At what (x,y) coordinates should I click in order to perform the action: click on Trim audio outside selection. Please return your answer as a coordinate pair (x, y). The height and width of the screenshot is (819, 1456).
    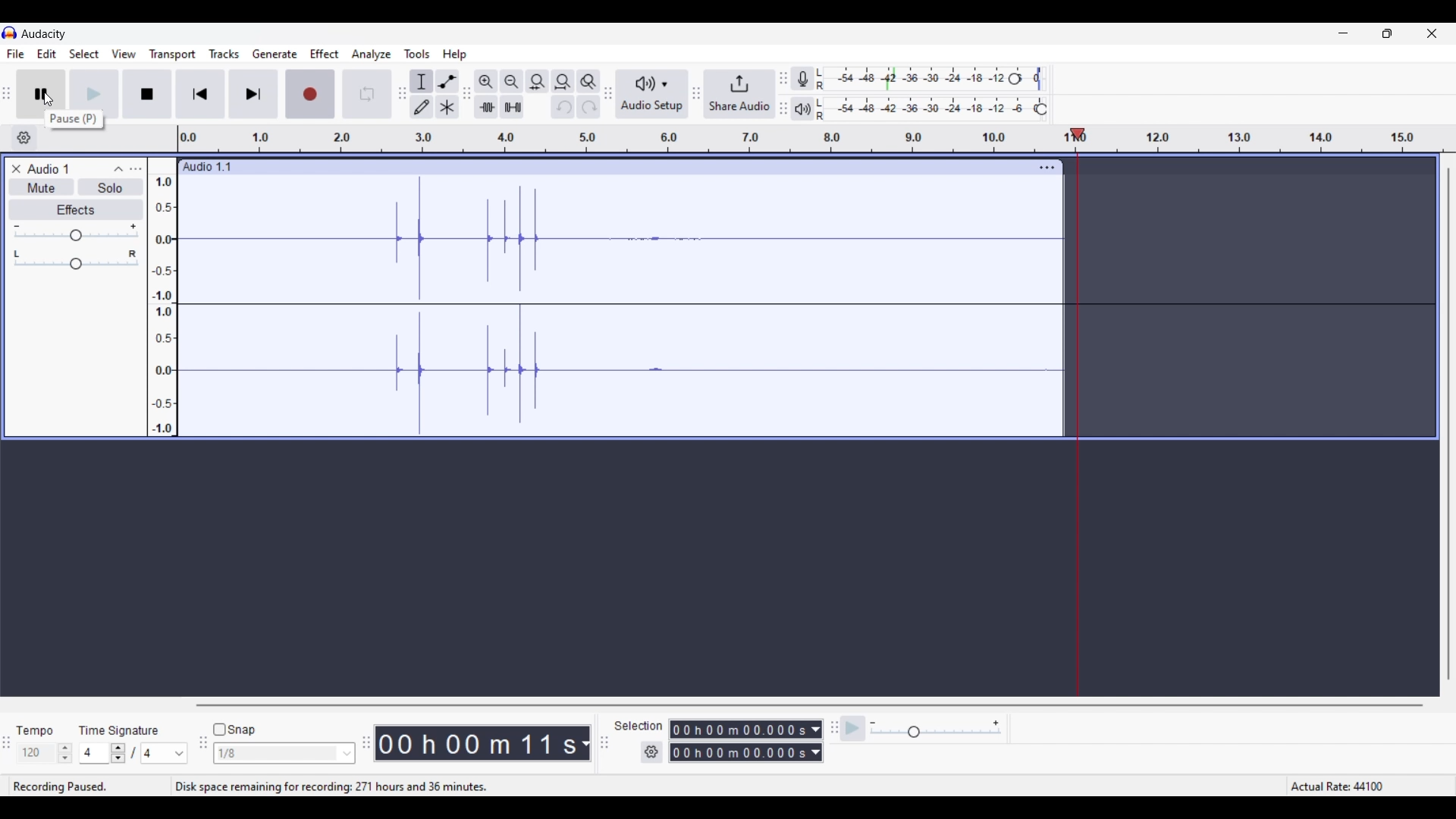
    Looking at the image, I should click on (485, 107).